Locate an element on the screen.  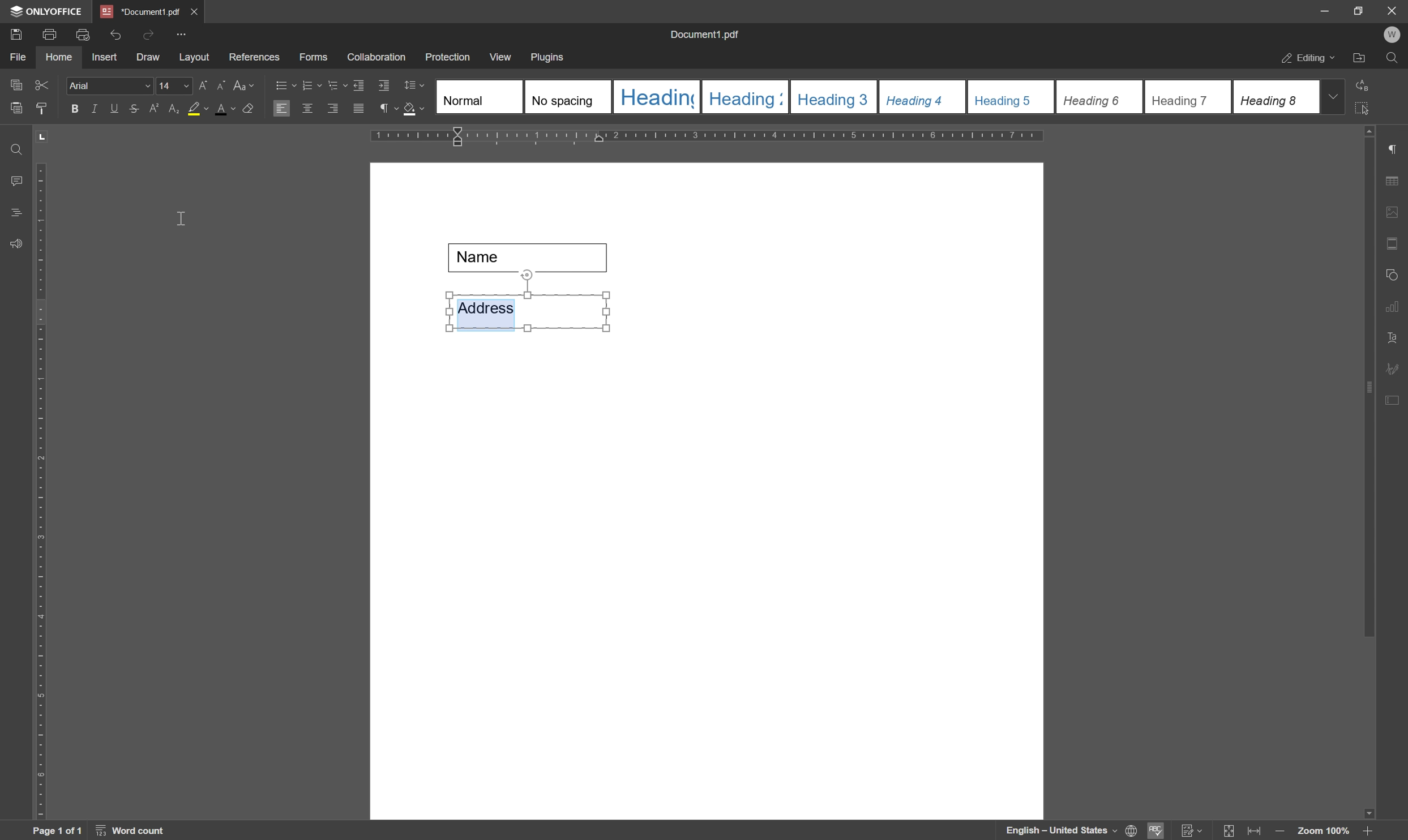
comments is located at coordinates (14, 181).